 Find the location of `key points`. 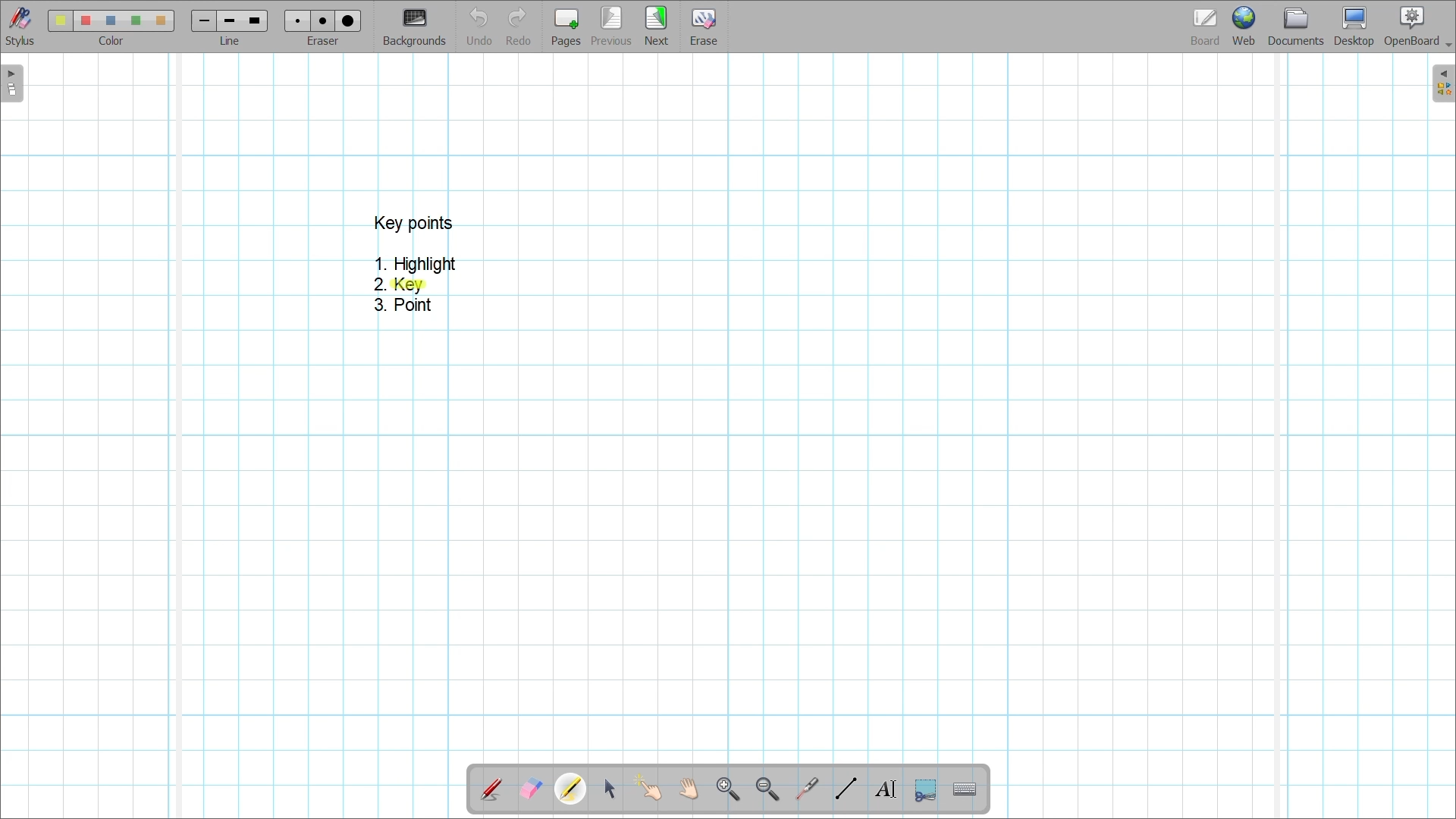

key points is located at coordinates (414, 222).